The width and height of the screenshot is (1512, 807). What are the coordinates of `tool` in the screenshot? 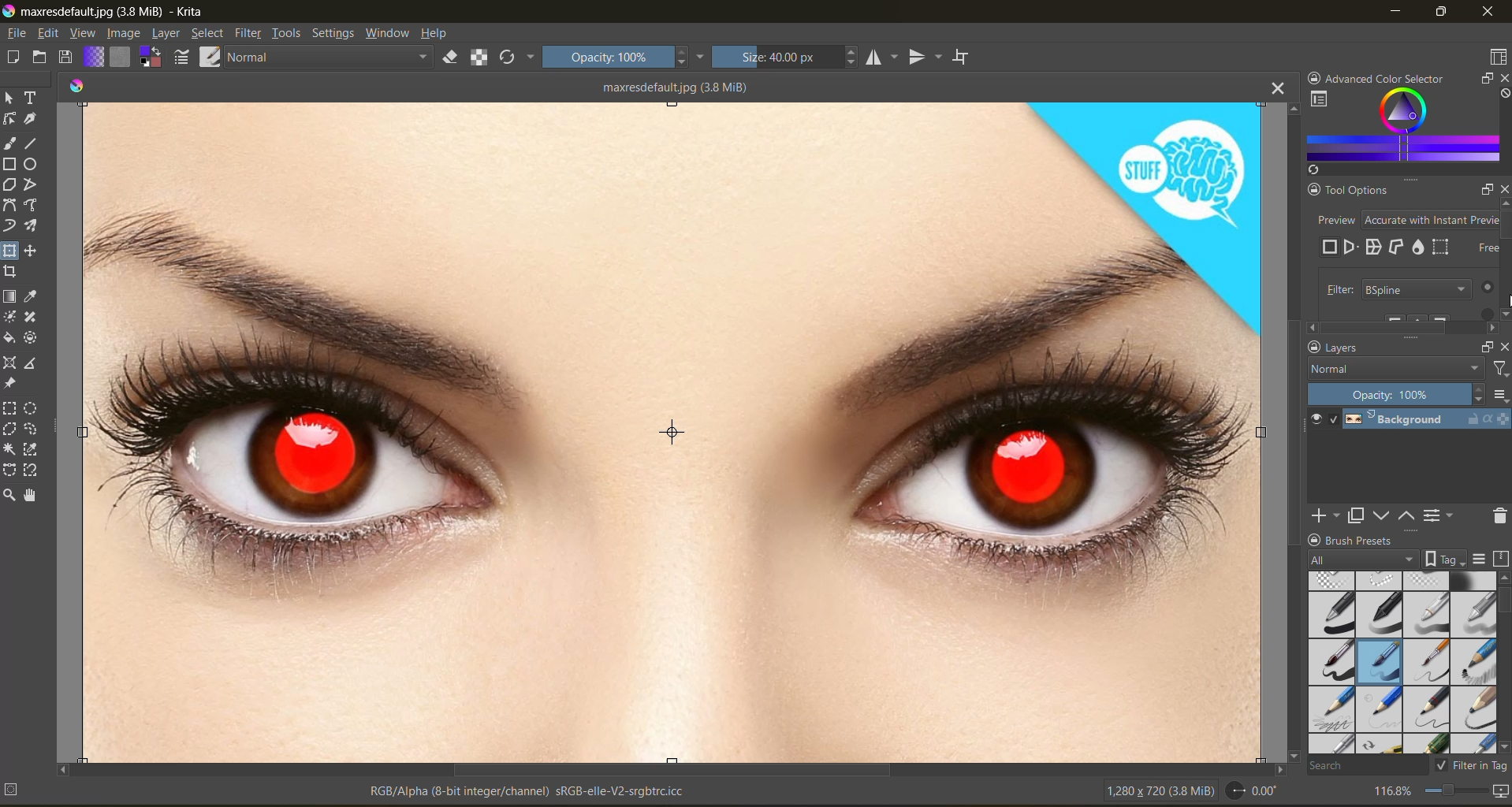 It's located at (32, 318).